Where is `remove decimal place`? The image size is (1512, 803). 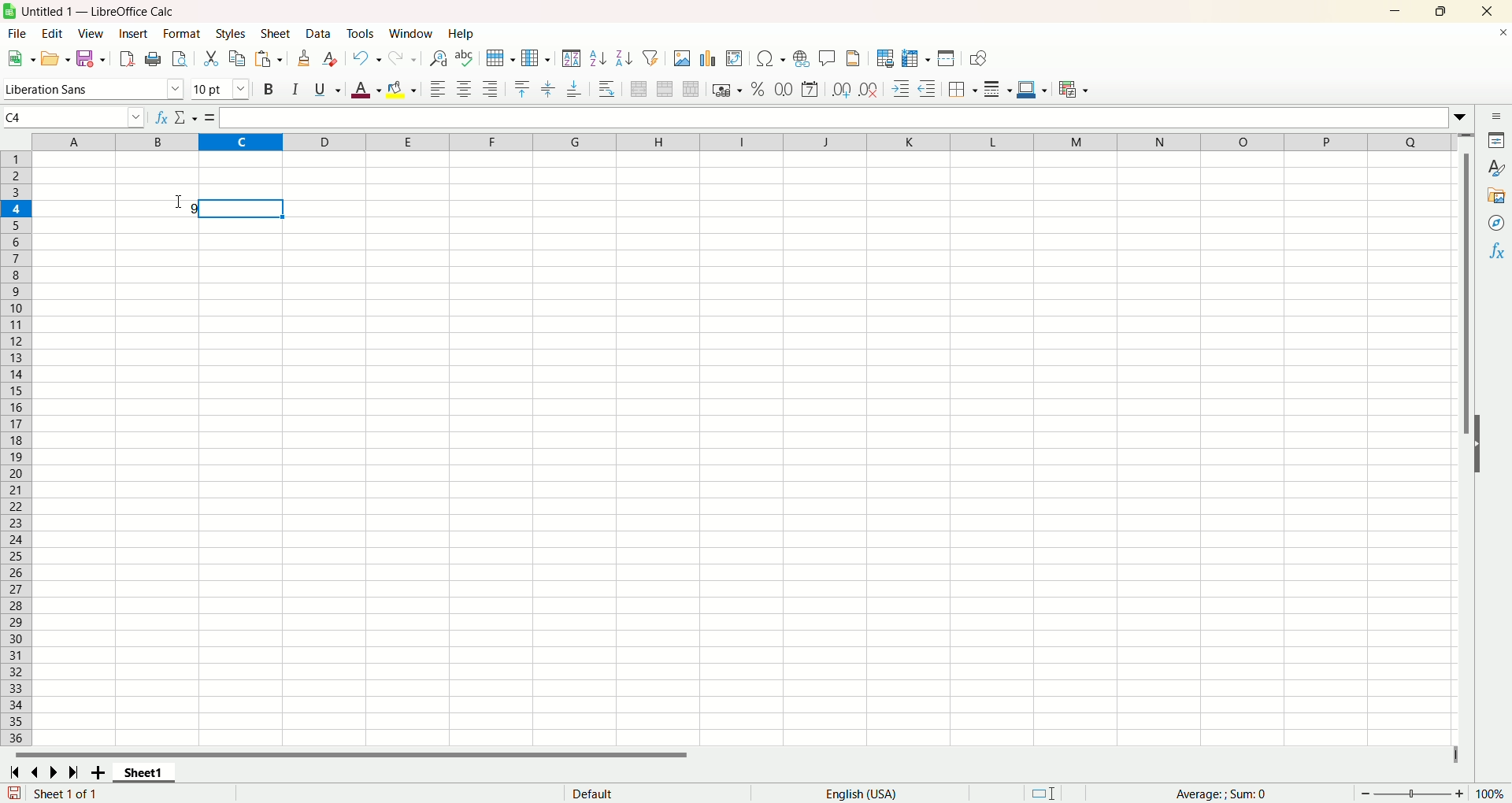 remove decimal place is located at coordinates (869, 90).